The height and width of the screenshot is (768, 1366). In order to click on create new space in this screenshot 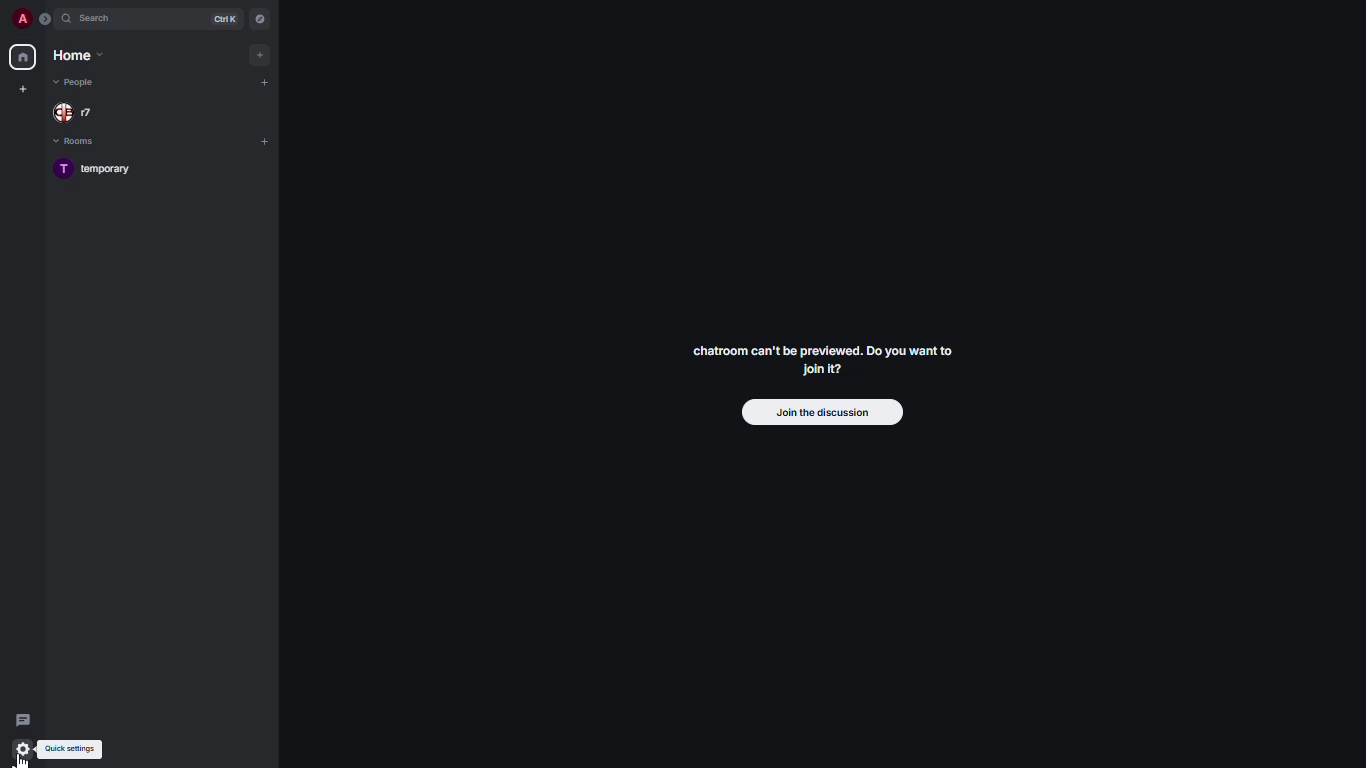, I will do `click(23, 88)`.